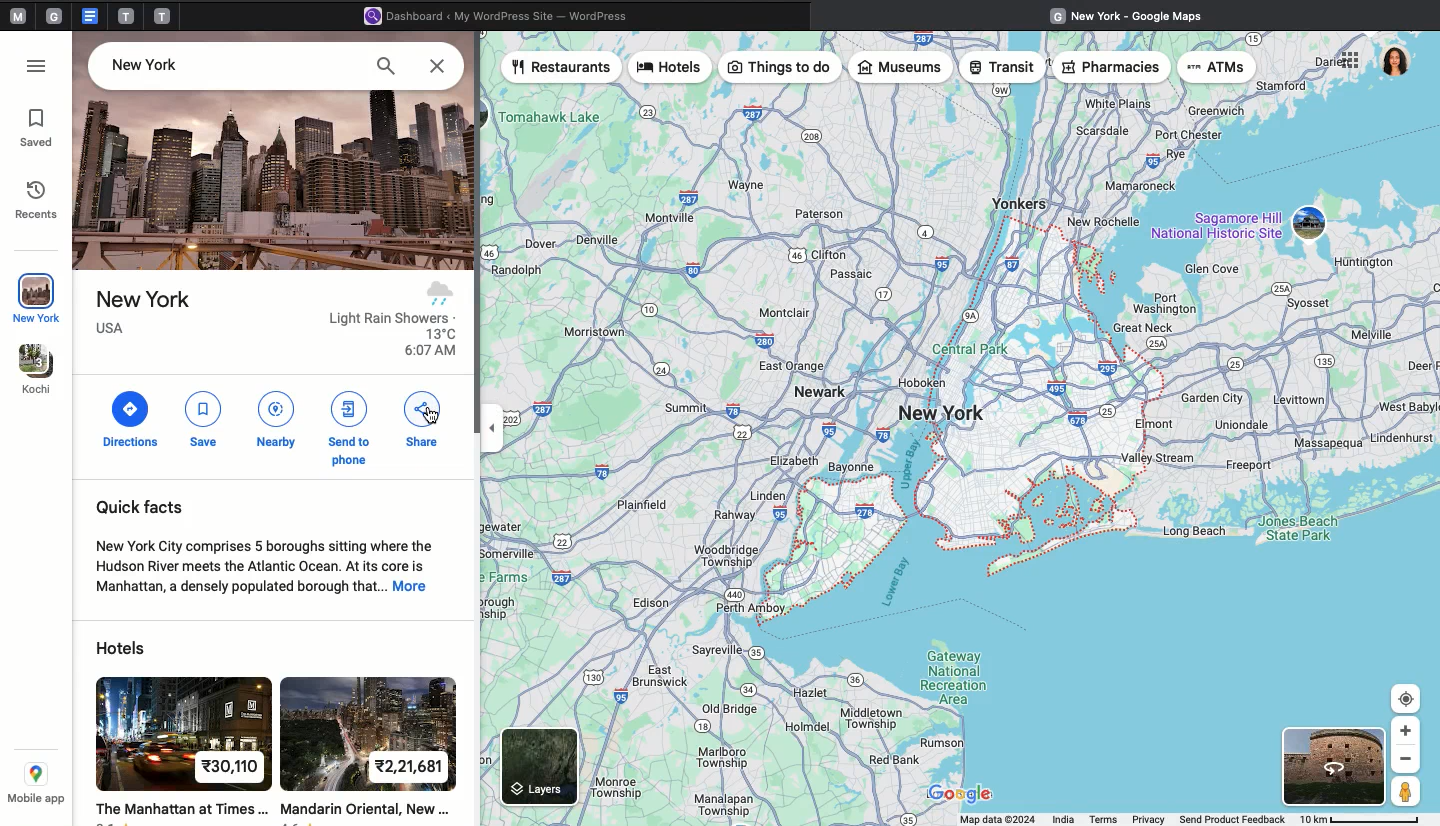  I want to click on google doc, so click(89, 15).